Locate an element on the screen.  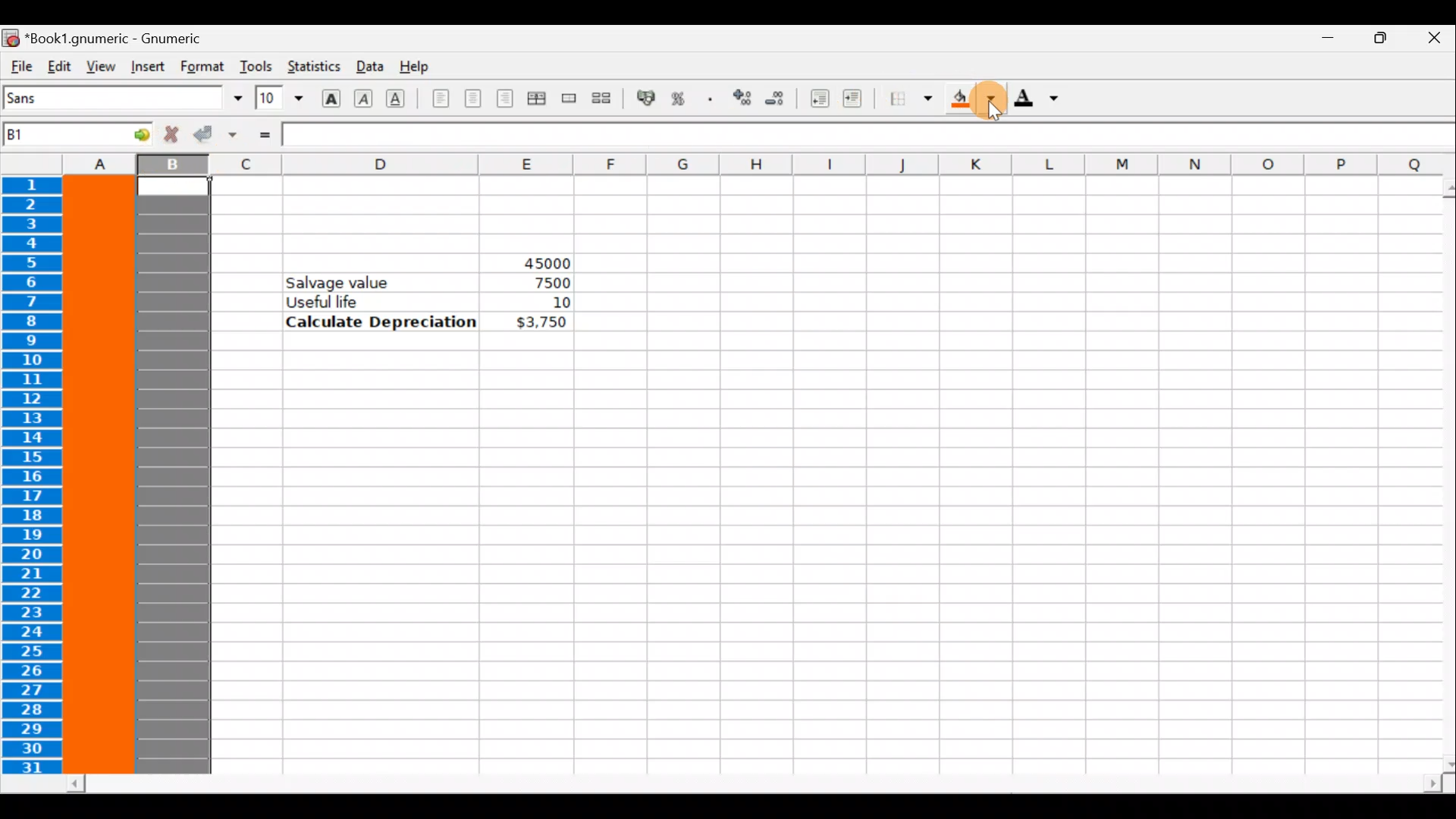
Formula bar is located at coordinates (868, 135).